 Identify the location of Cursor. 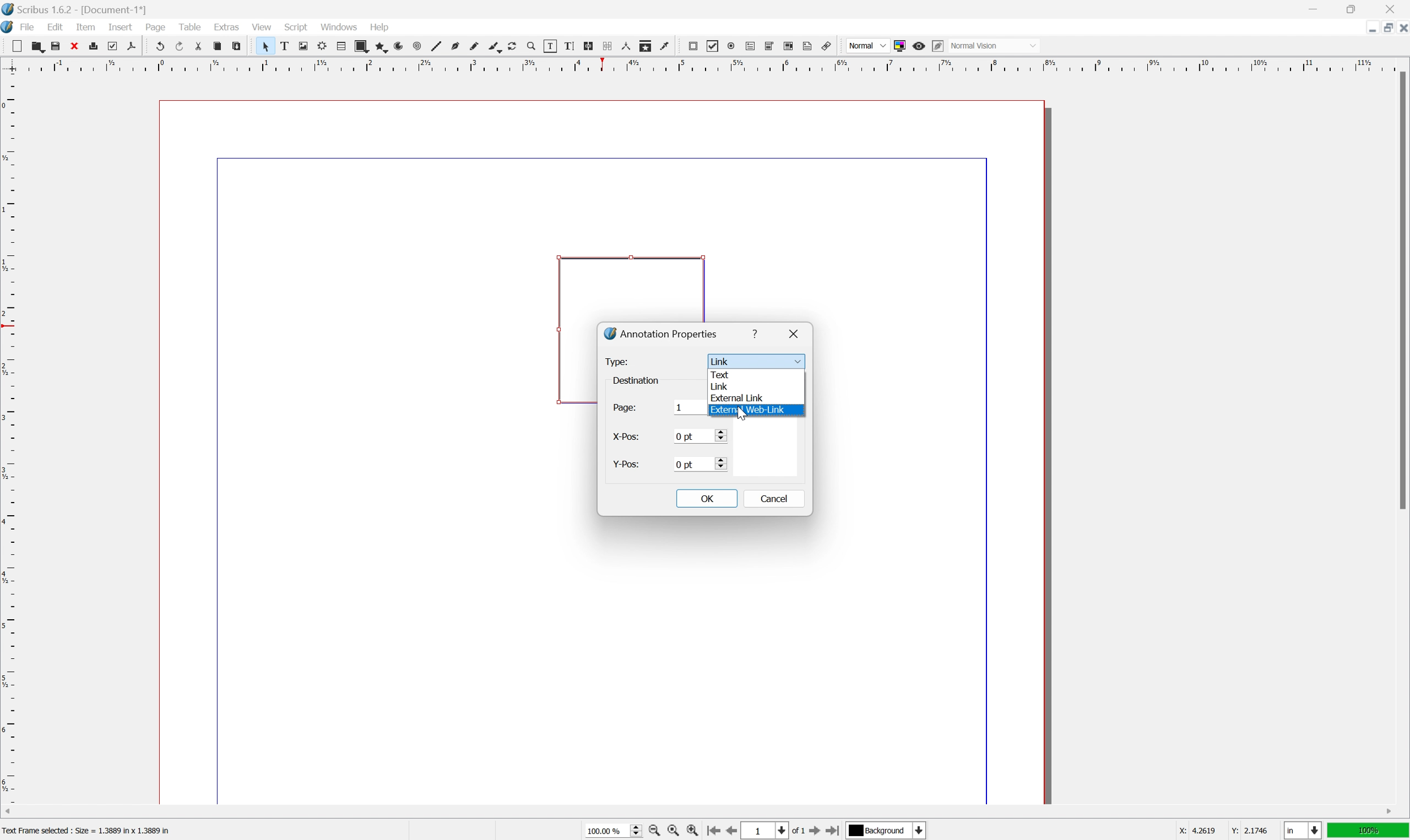
(741, 415).